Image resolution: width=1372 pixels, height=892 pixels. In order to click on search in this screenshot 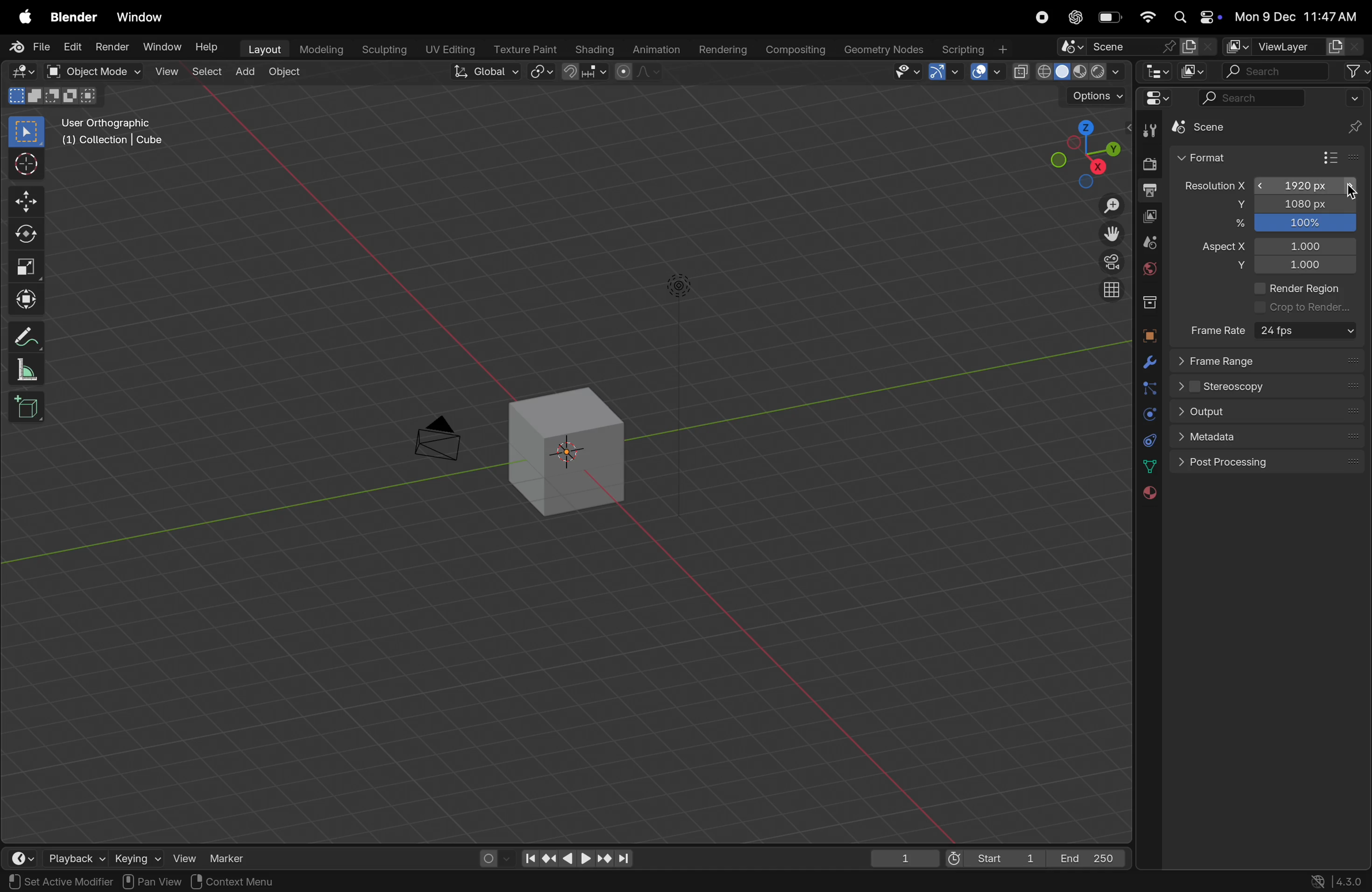, I will do `click(1276, 71)`.